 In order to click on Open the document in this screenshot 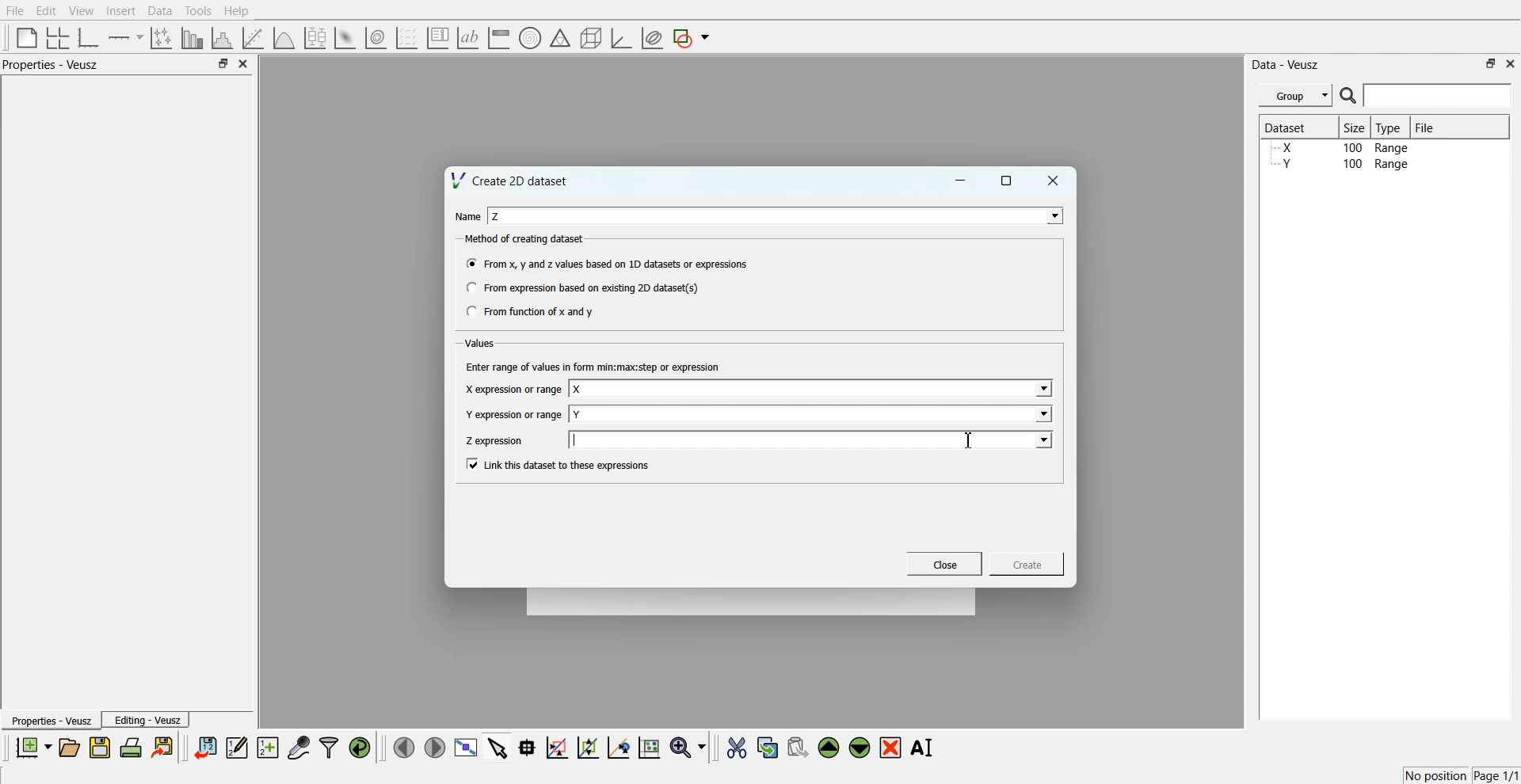, I will do `click(68, 748)`.